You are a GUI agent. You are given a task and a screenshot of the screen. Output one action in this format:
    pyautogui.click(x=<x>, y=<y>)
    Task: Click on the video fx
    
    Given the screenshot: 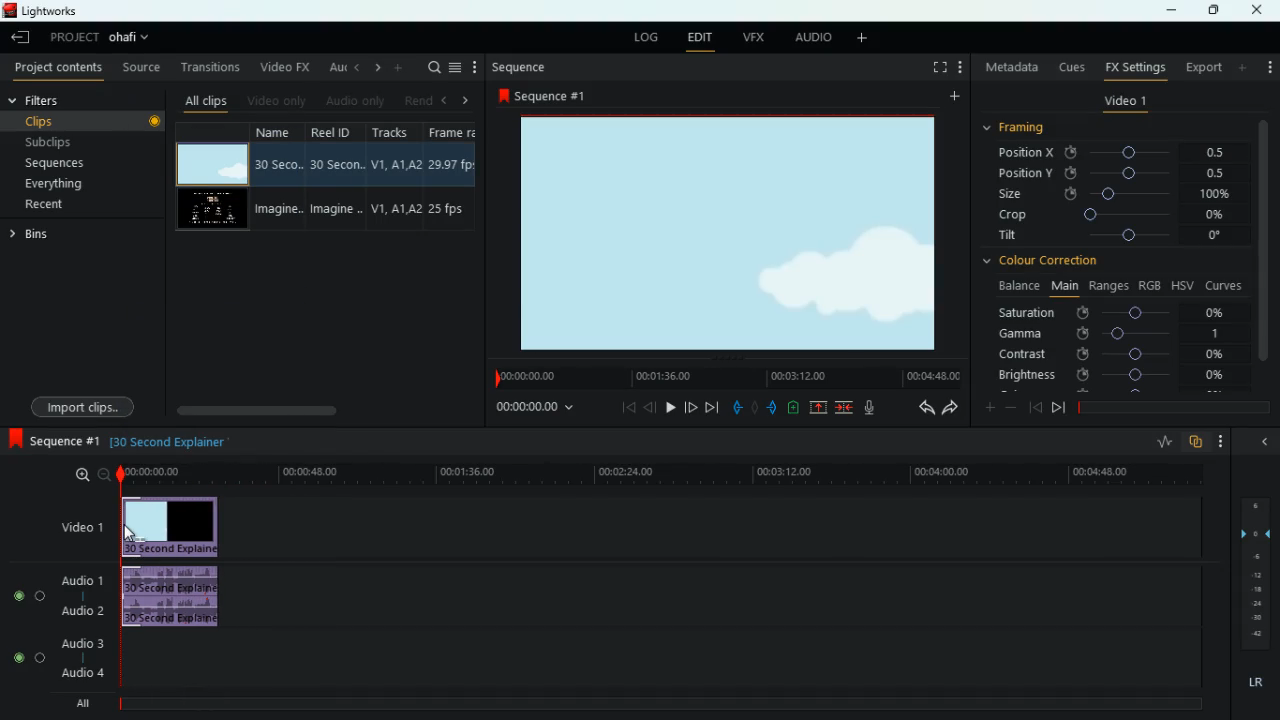 What is the action you would take?
    pyautogui.click(x=286, y=68)
    